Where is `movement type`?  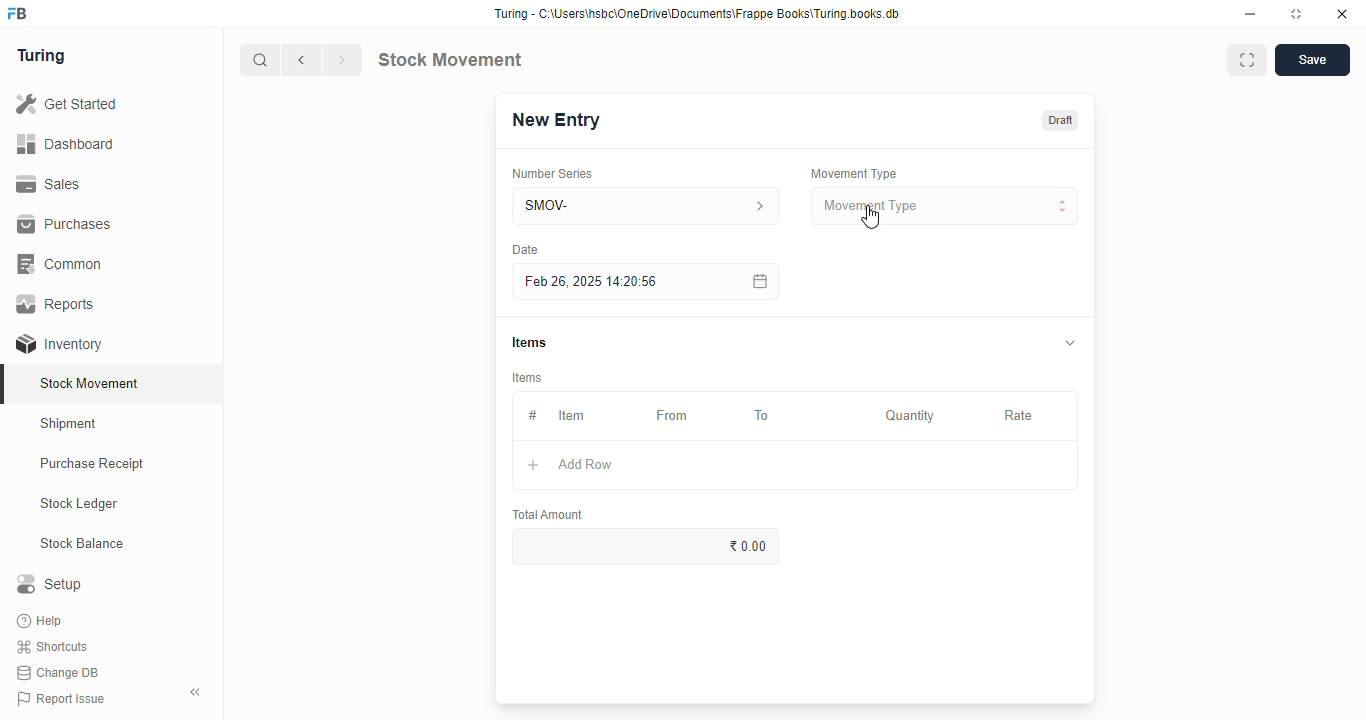 movement type is located at coordinates (853, 173).